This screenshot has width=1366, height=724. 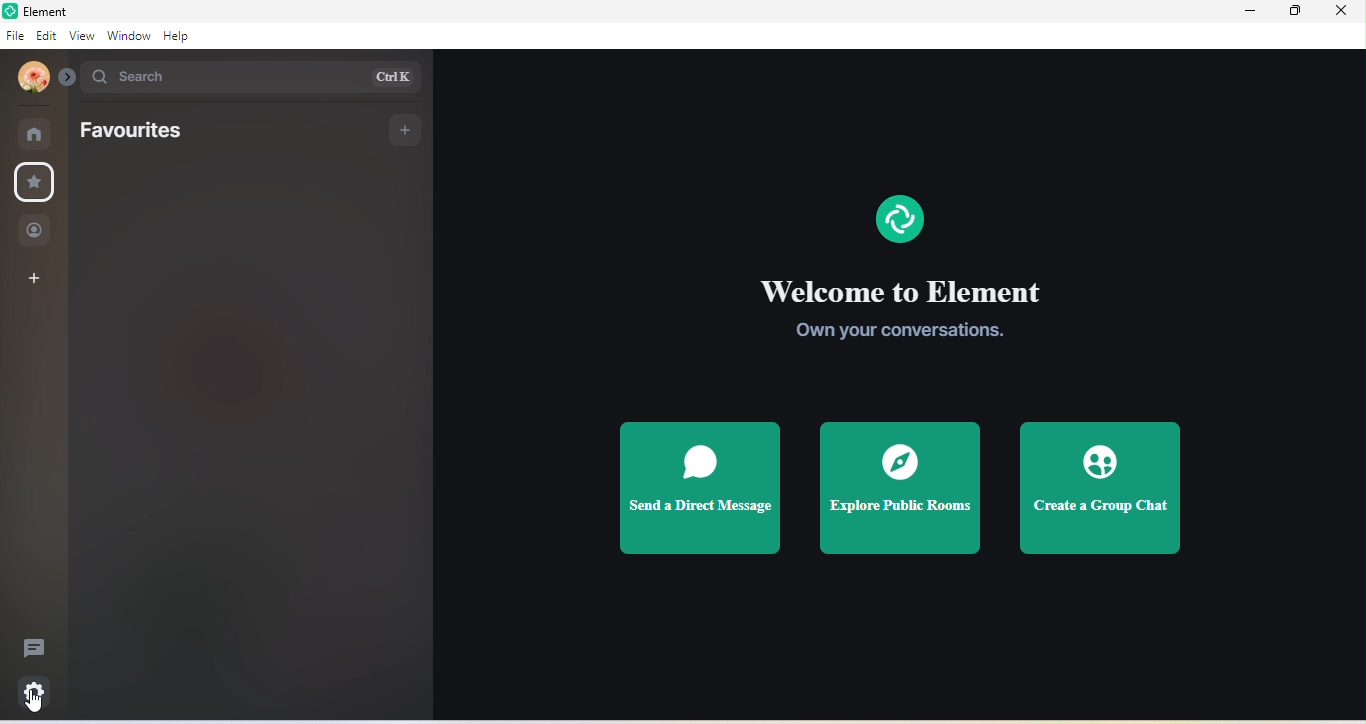 What do you see at coordinates (34, 185) in the screenshot?
I see `favourites` at bounding box center [34, 185].